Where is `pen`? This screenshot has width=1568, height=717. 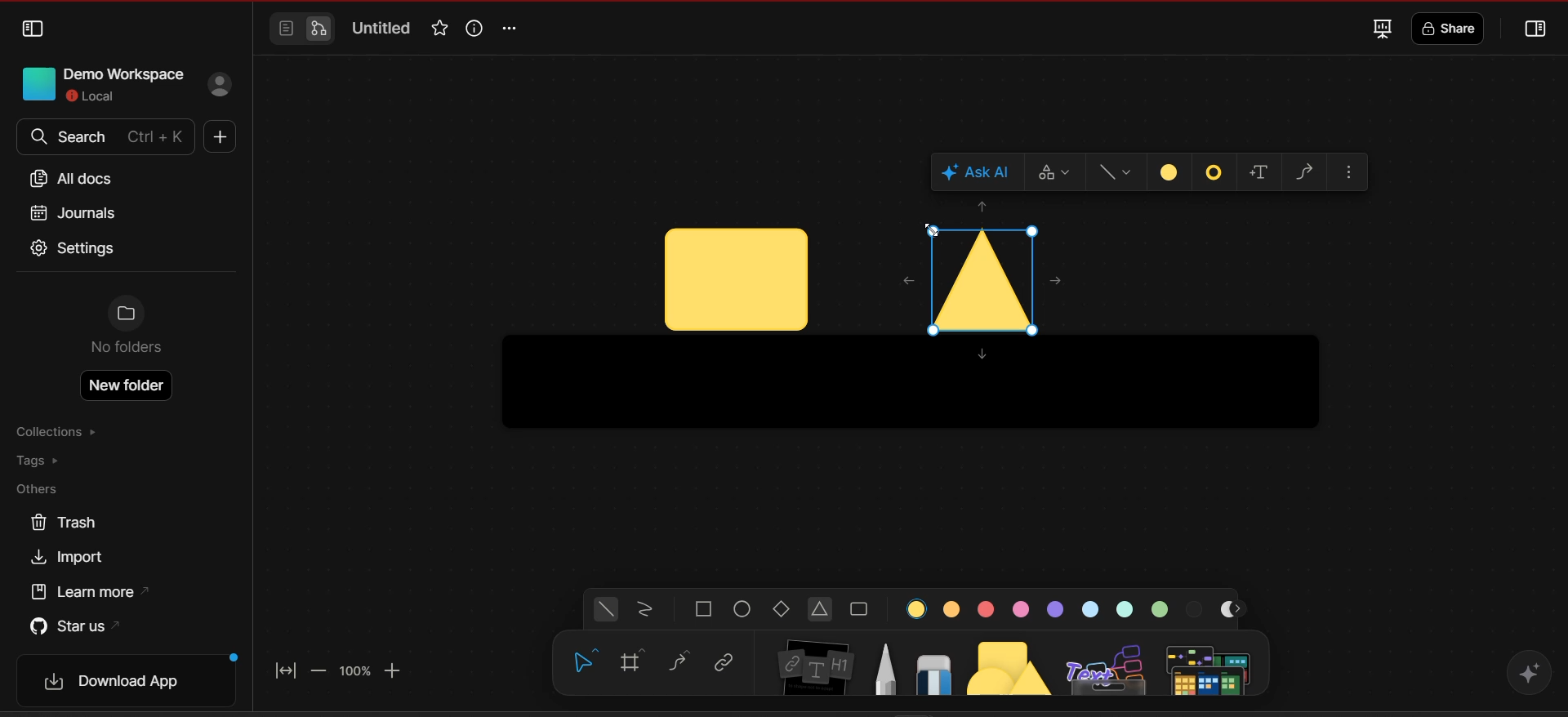 pen is located at coordinates (885, 667).